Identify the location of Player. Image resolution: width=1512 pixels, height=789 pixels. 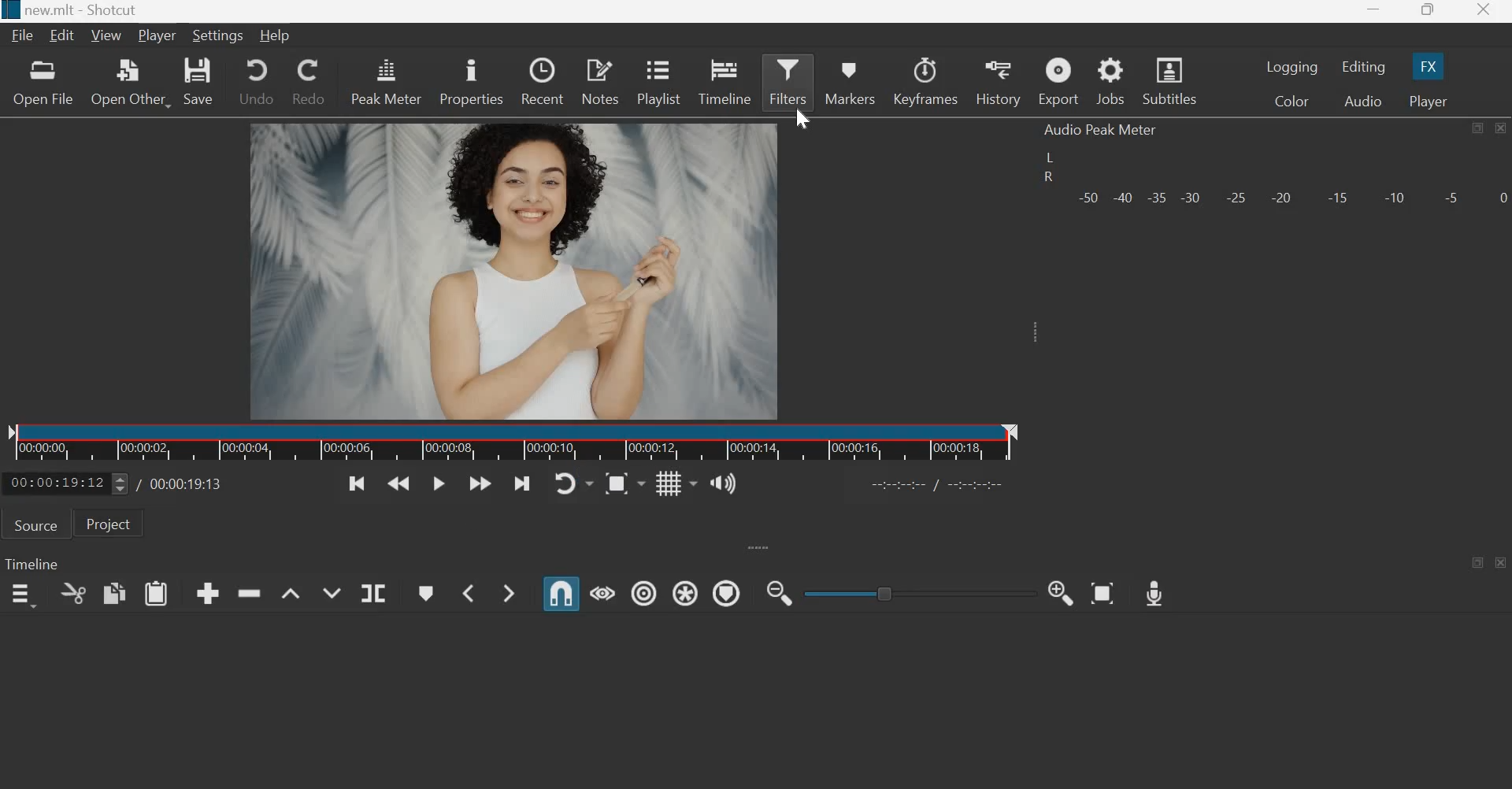
(157, 36).